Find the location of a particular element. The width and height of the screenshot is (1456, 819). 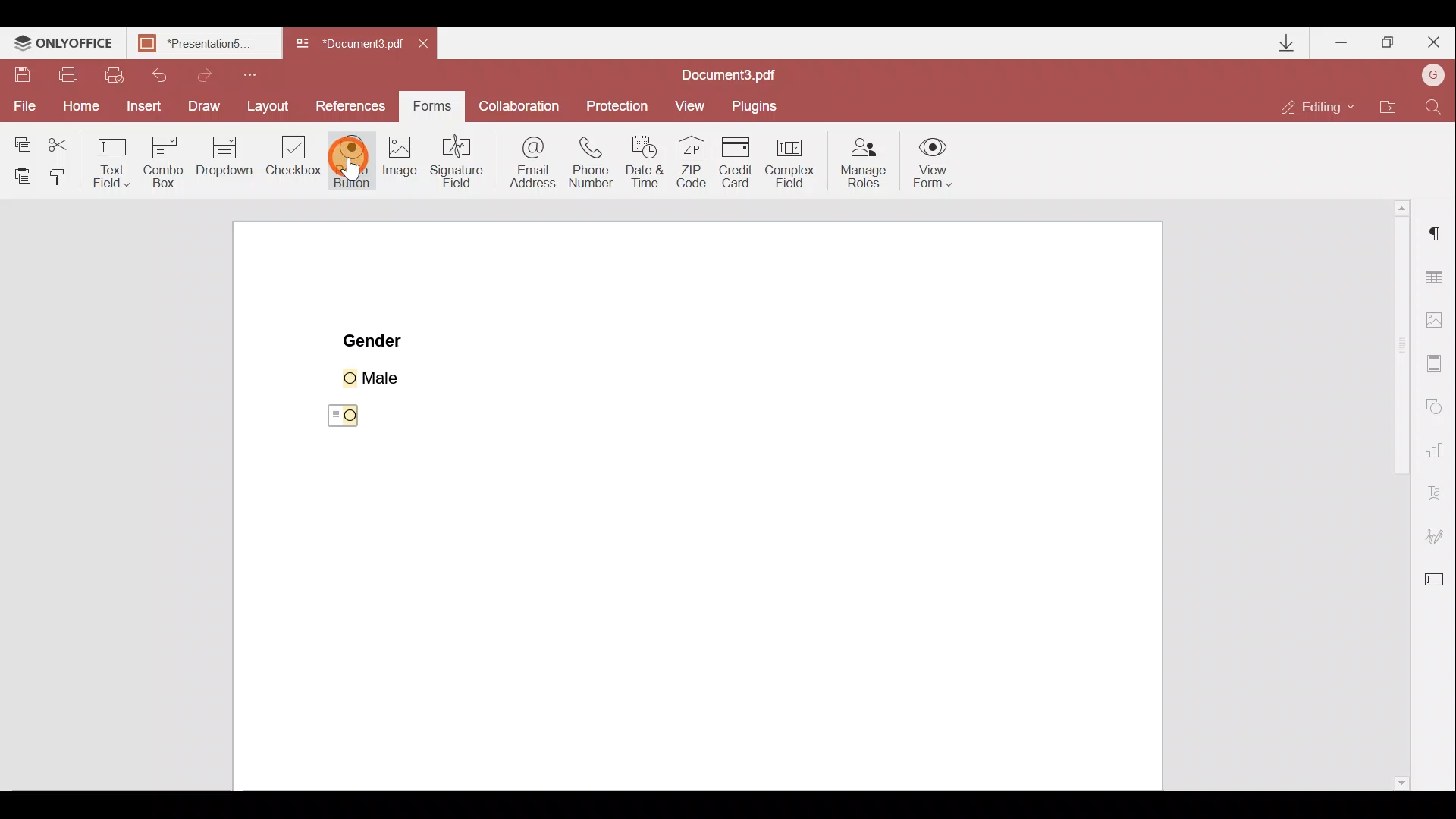

Image settings is located at coordinates (1442, 321).